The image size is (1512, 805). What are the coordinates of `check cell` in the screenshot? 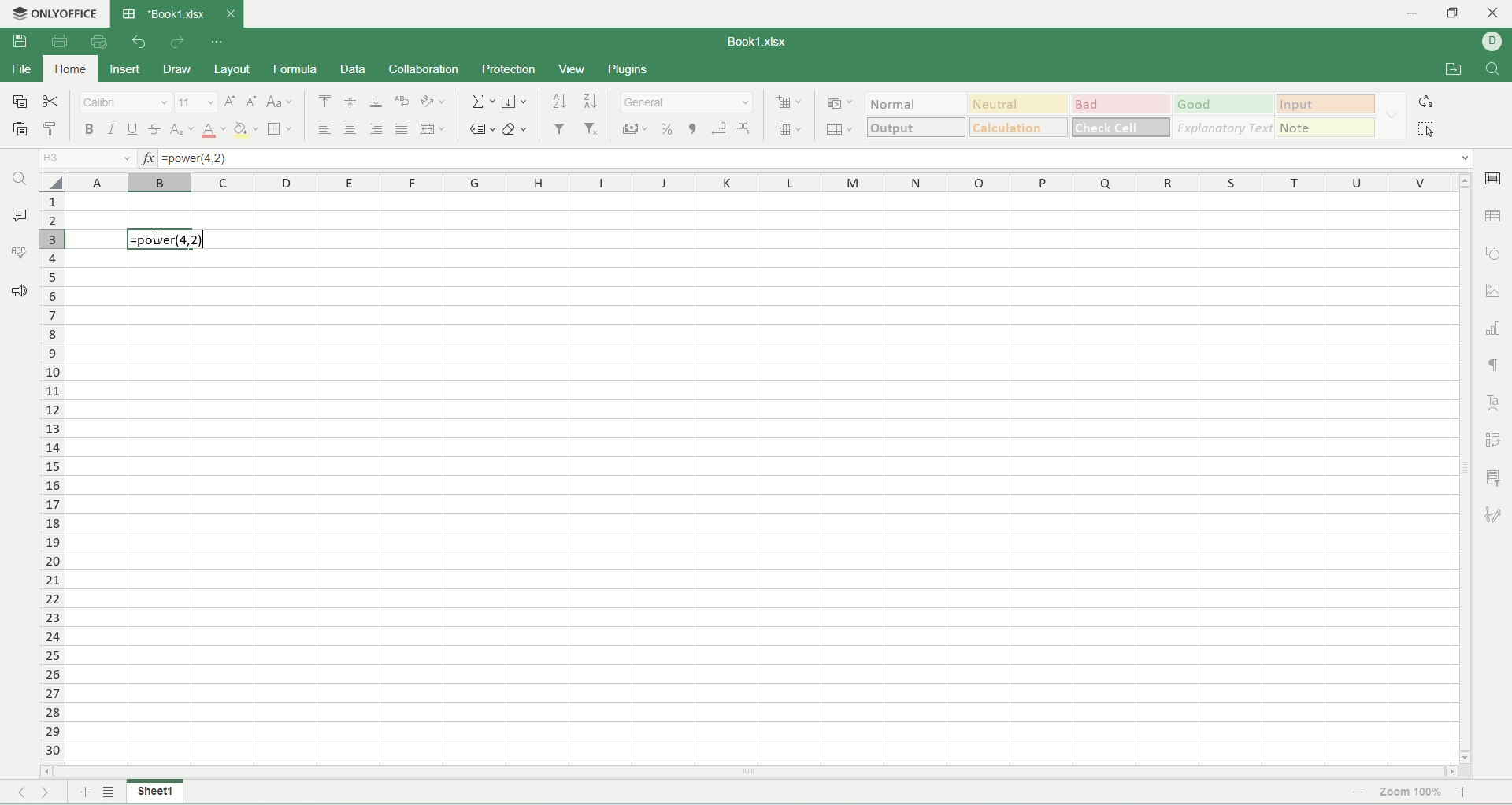 It's located at (1121, 127).